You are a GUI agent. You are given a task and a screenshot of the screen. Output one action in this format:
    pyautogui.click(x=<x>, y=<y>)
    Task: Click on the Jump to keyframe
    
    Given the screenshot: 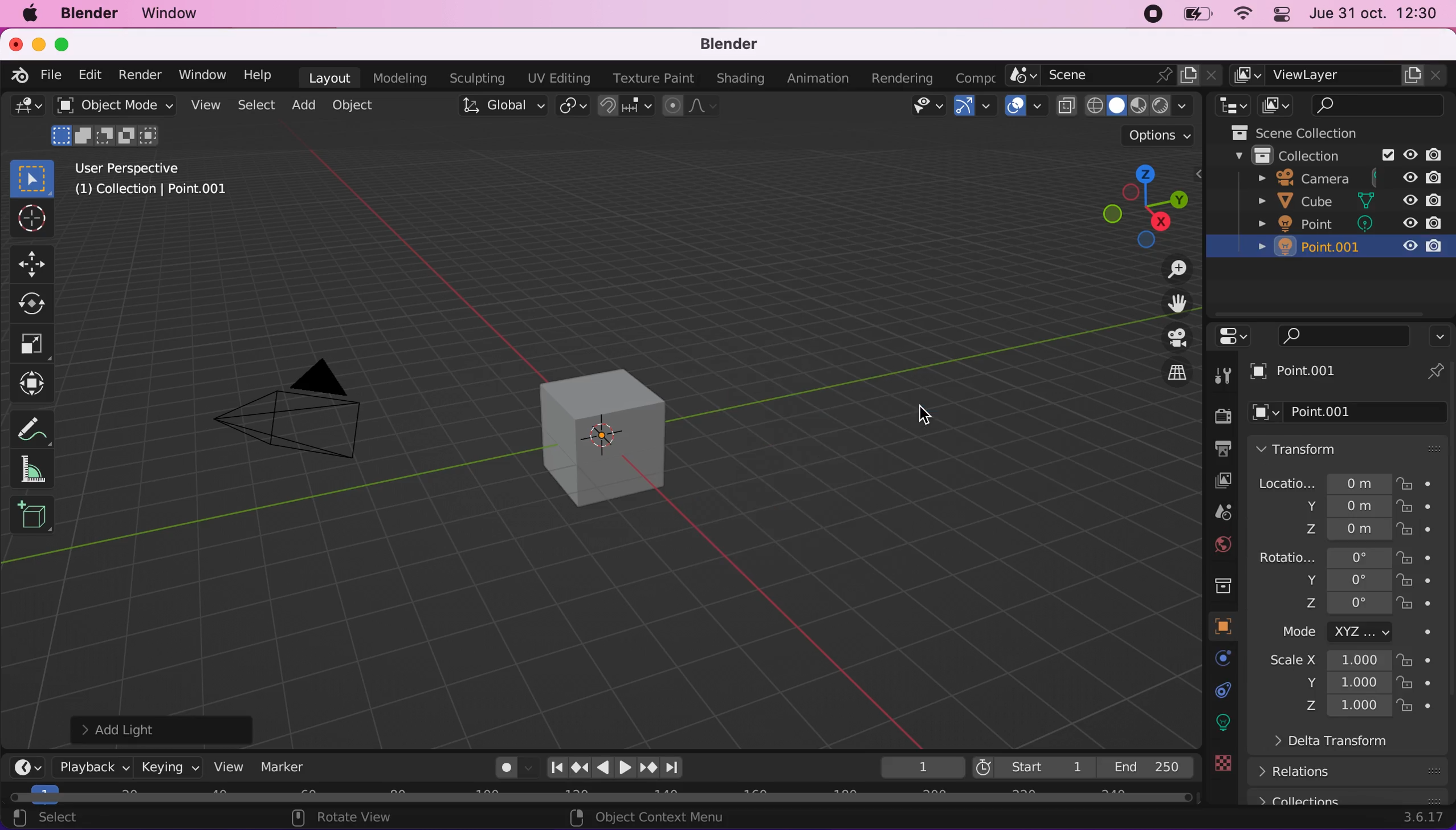 What is the action you would take?
    pyautogui.click(x=578, y=768)
    